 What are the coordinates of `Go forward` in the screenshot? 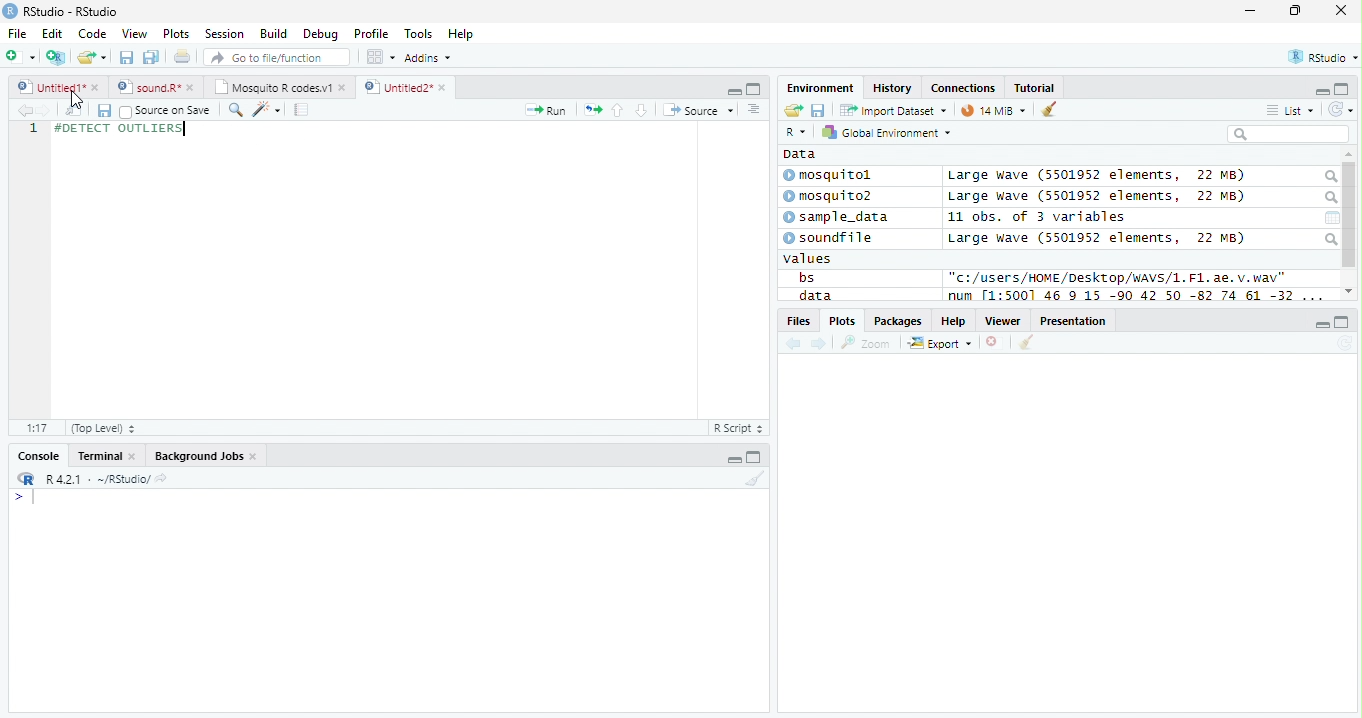 It's located at (44, 110).